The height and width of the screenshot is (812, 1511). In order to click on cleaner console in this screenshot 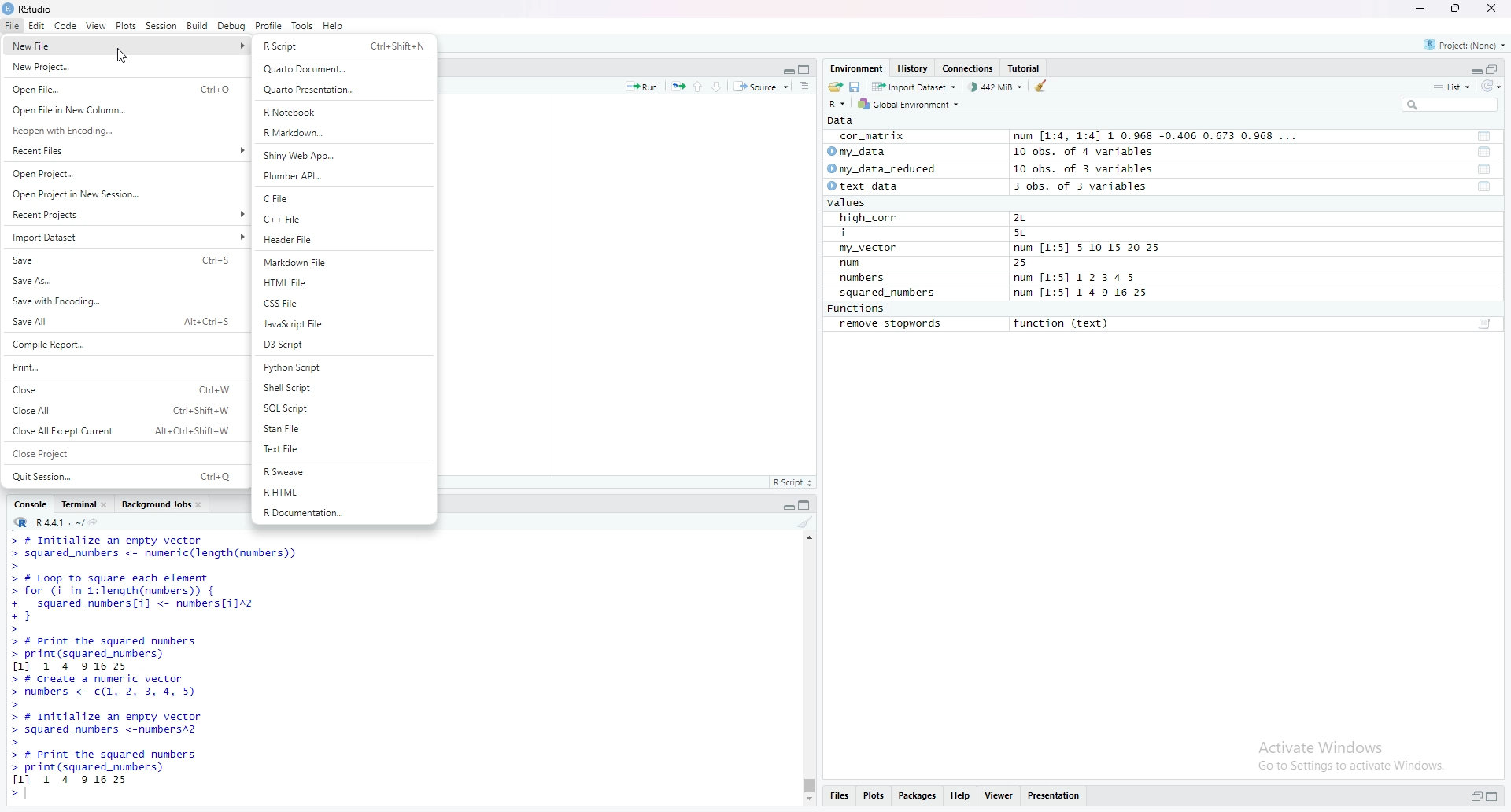, I will do `click(804, 522)`.